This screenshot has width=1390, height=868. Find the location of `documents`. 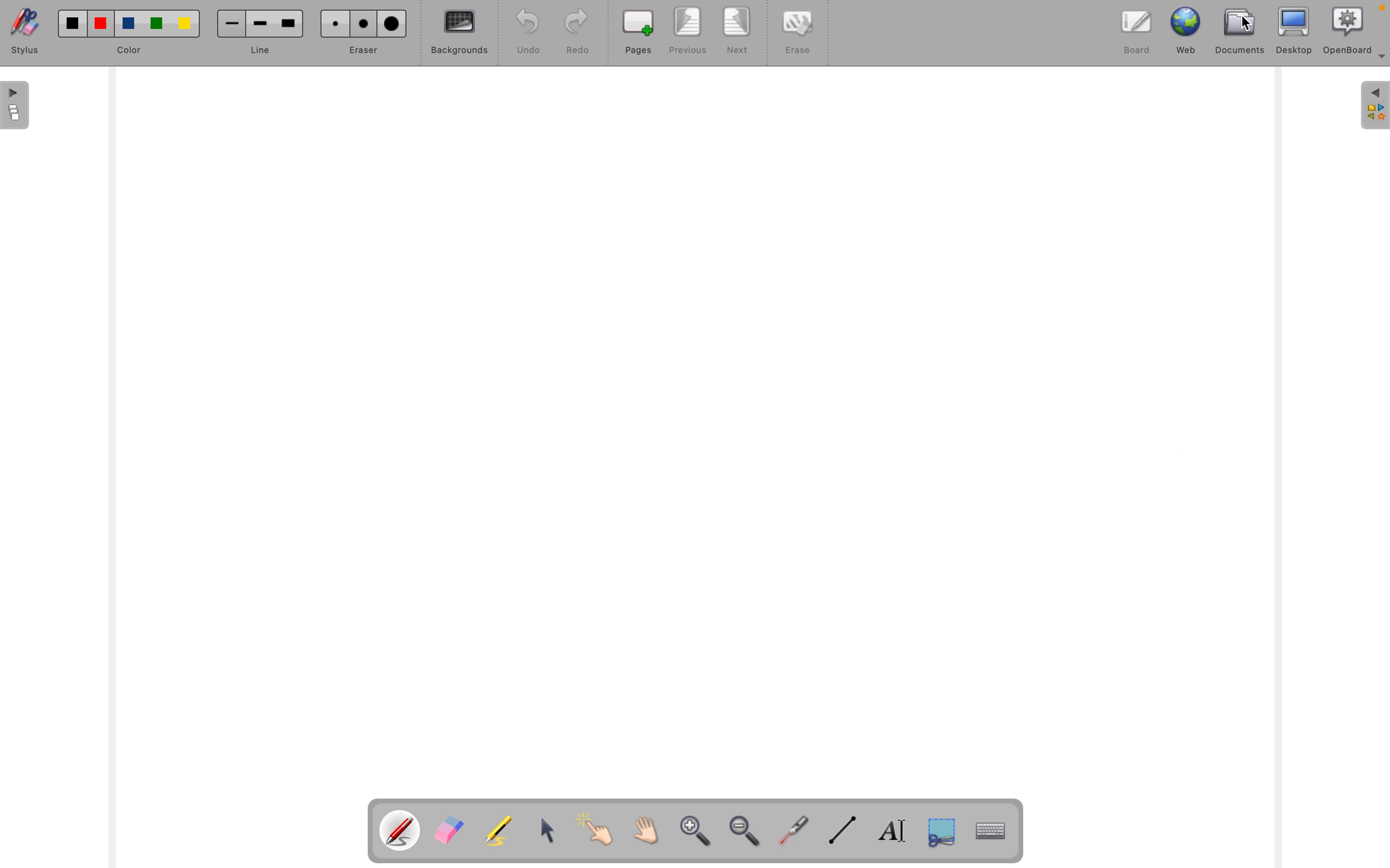

documents is located at coordinates (1238, 28).